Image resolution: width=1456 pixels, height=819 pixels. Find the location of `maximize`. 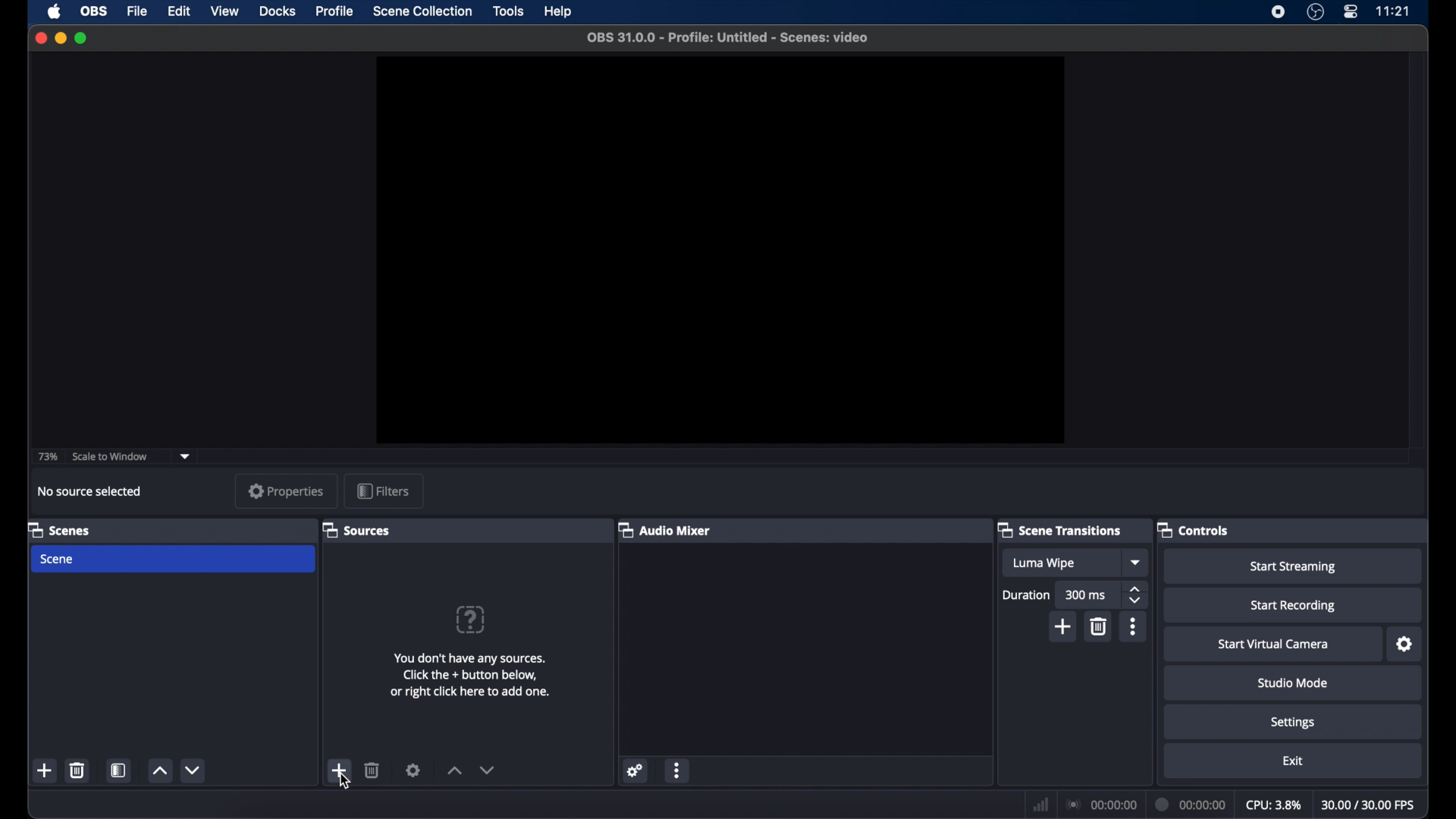

maximize is located at coordinates (83, 39).